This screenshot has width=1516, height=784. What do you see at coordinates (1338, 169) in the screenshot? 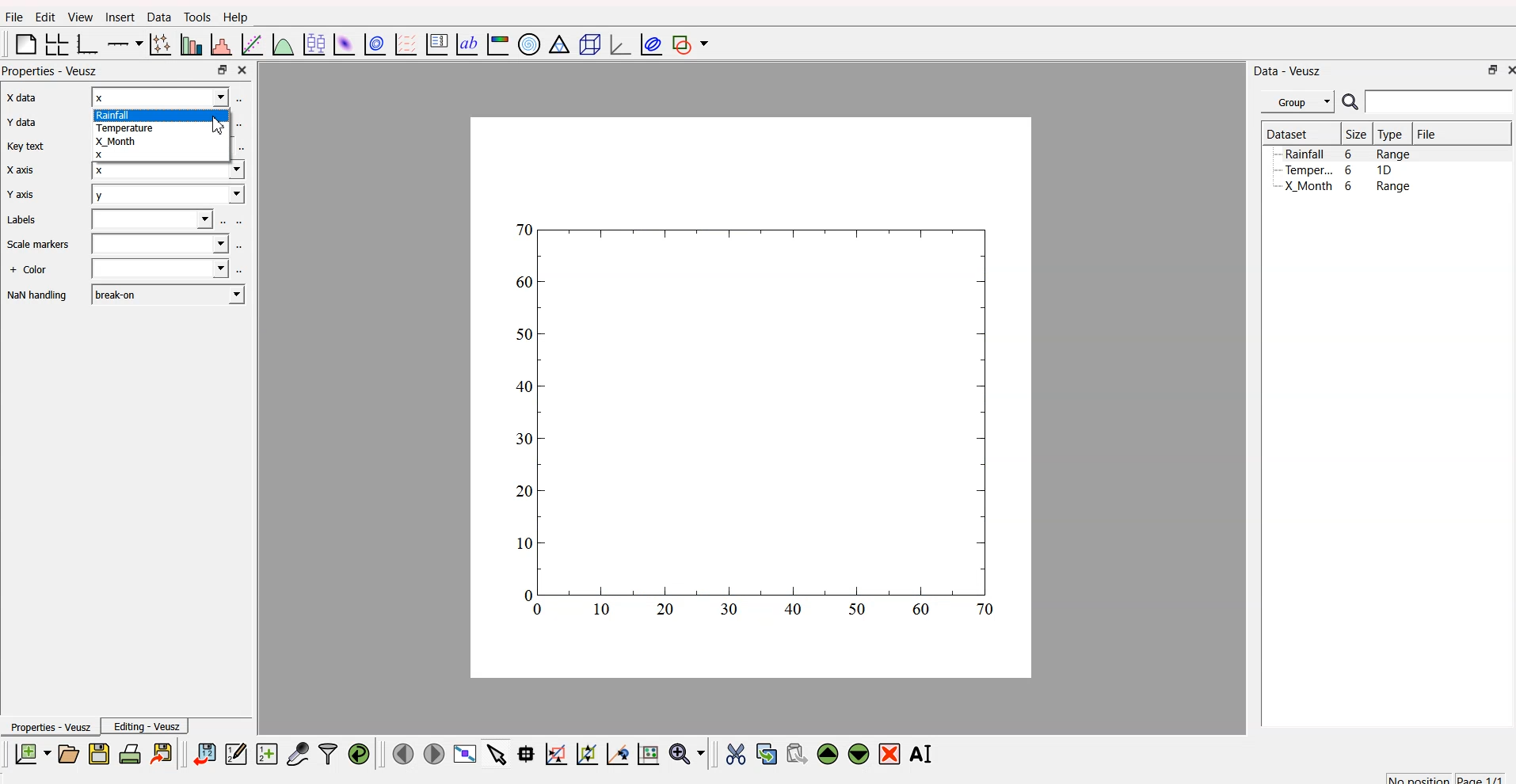
I see `Temper... 6 1D` at bounding box center [1338, 169].